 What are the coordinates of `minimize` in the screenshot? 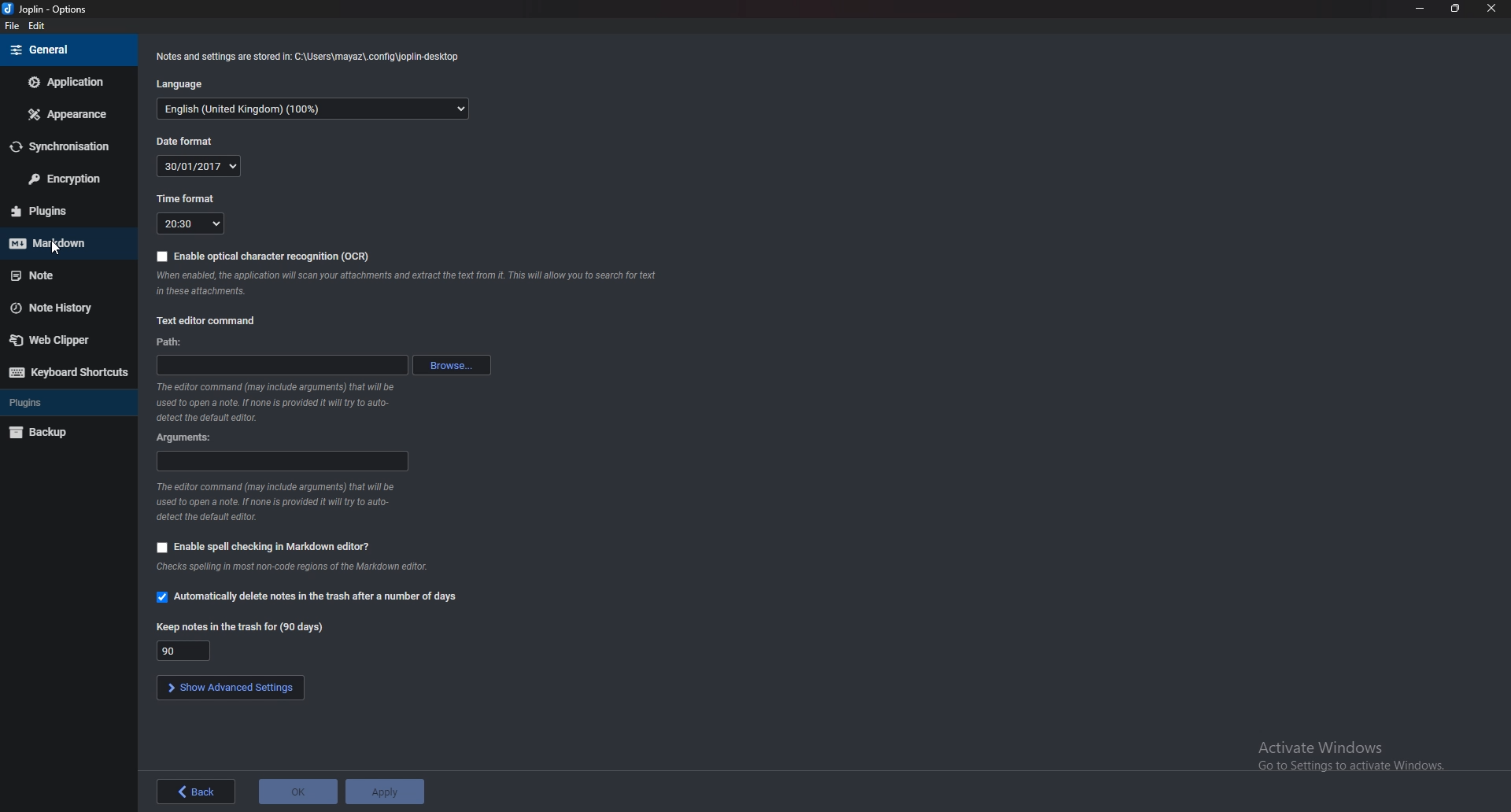 It's located at (1421, 9).